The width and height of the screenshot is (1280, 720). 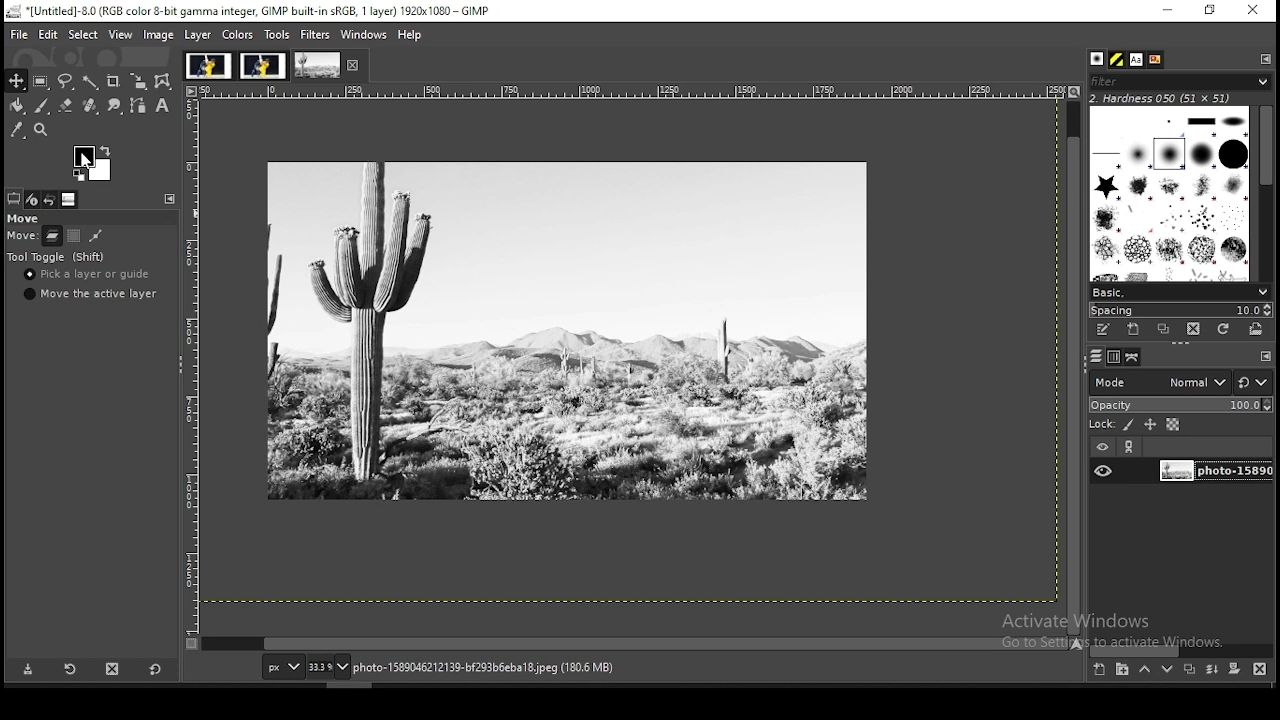 I want to click on select brush preset, so click(x=1178, y=291).